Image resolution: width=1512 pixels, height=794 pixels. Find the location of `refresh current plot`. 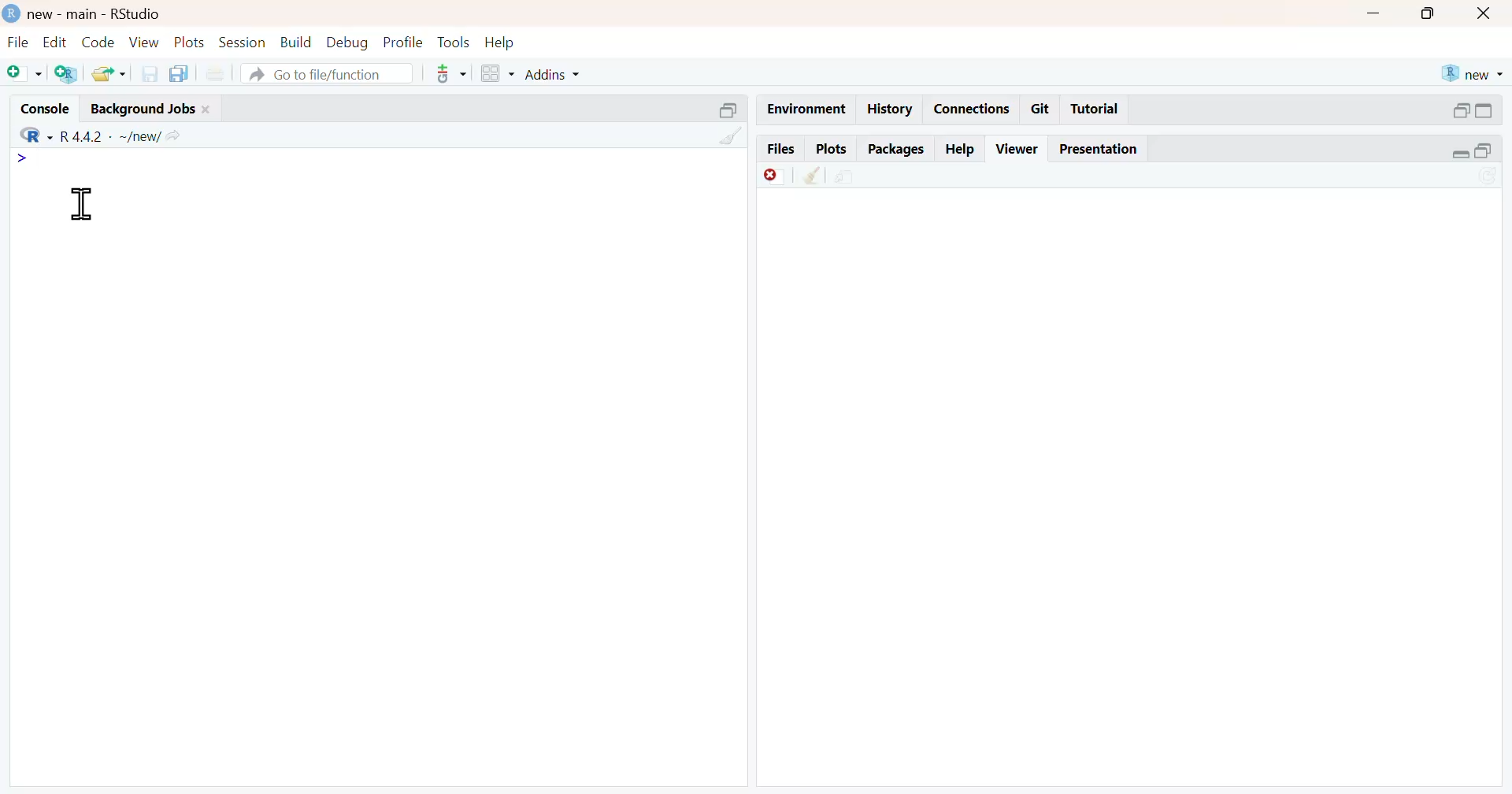

refresh current plot is located at coordinates (1490, 176).